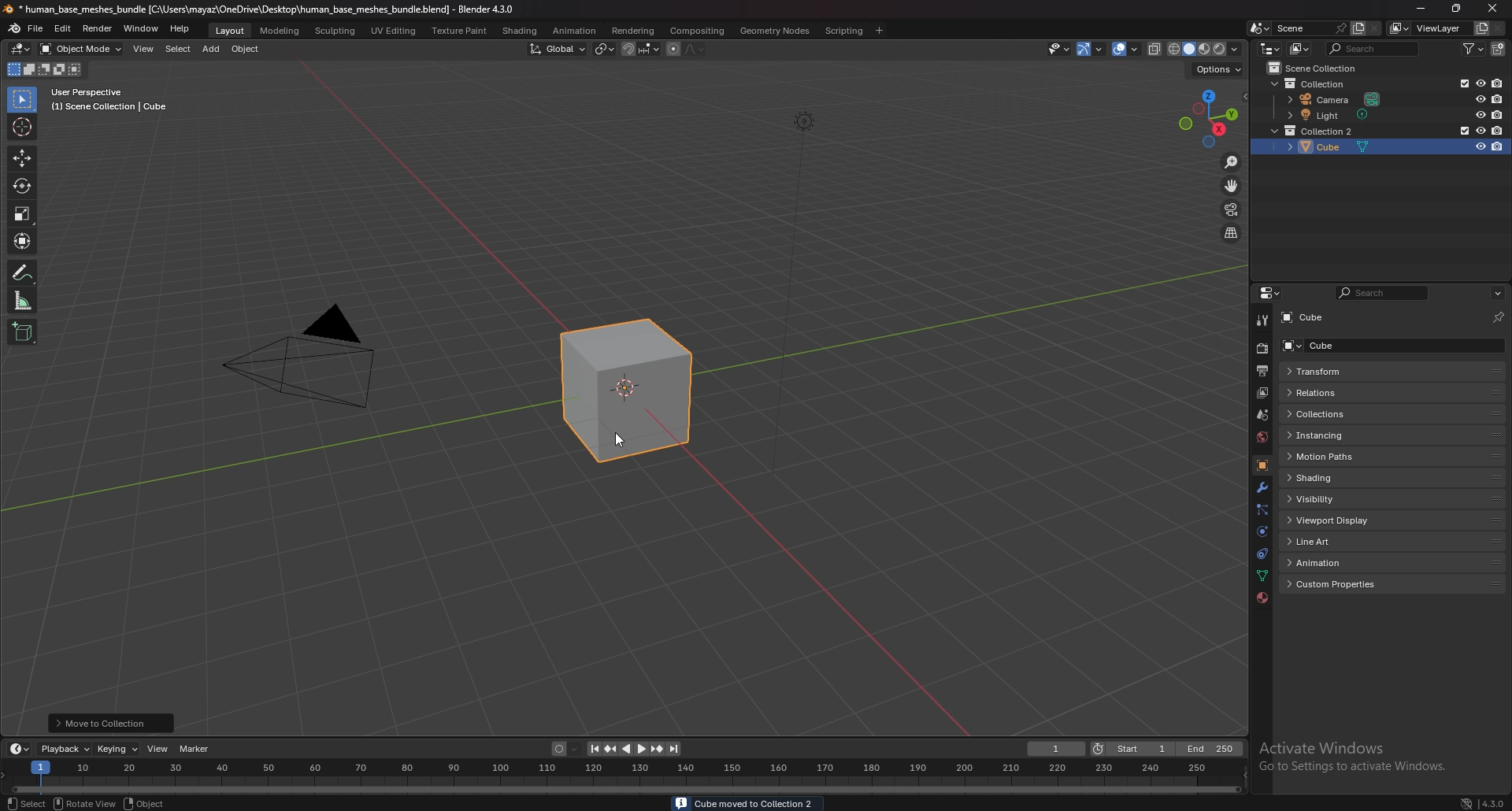 Image resolution: width=1512 pixels, height=811 pixels. Describe the element at coordinates (1302, 48) in the screenshot. I see `display mode` at that location.